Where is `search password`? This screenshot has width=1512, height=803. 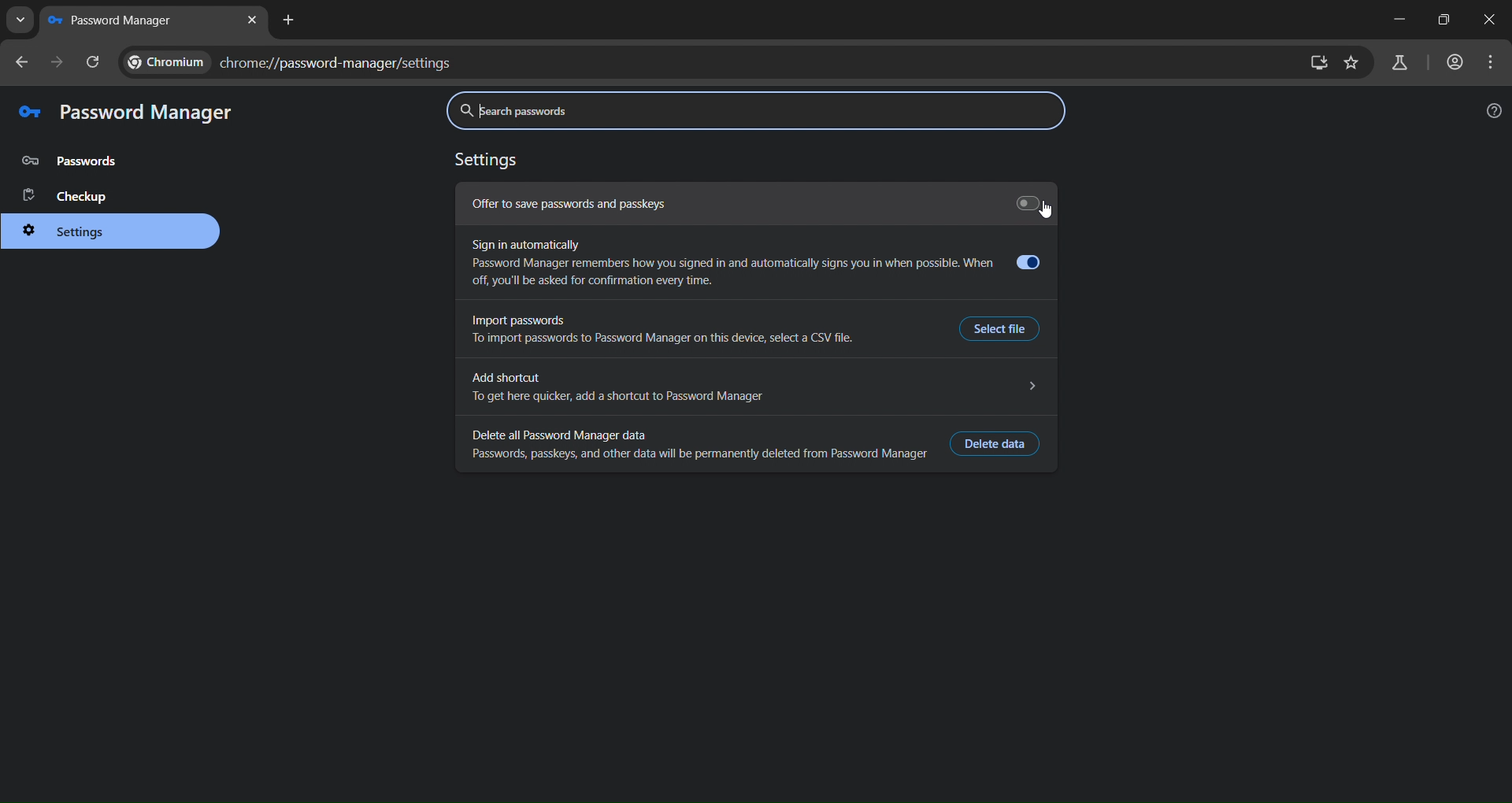
search password is located at coordinates (758, 112).